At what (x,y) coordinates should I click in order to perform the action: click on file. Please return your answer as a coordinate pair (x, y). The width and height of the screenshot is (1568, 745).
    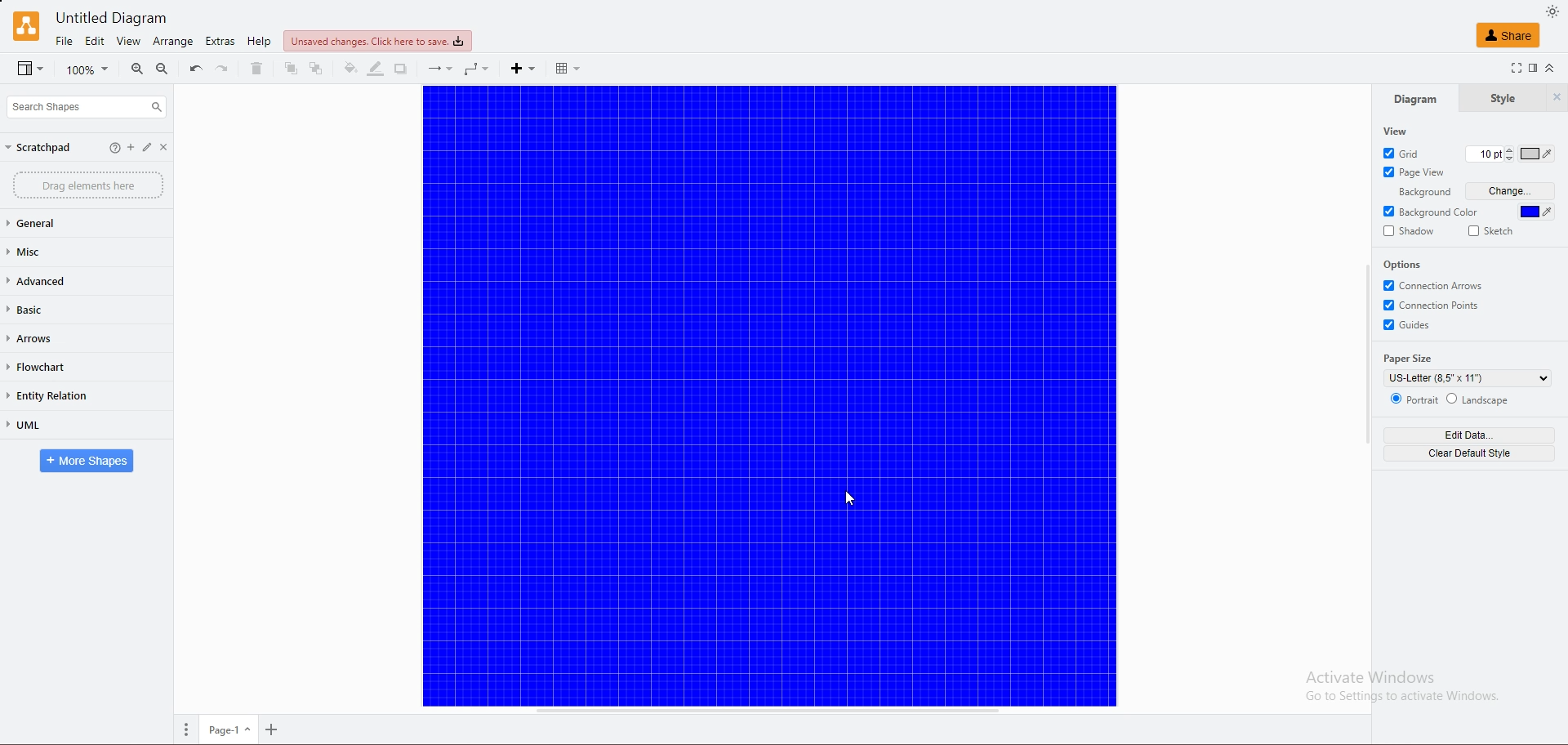
    Looking at the image, I should click on (65, 41).